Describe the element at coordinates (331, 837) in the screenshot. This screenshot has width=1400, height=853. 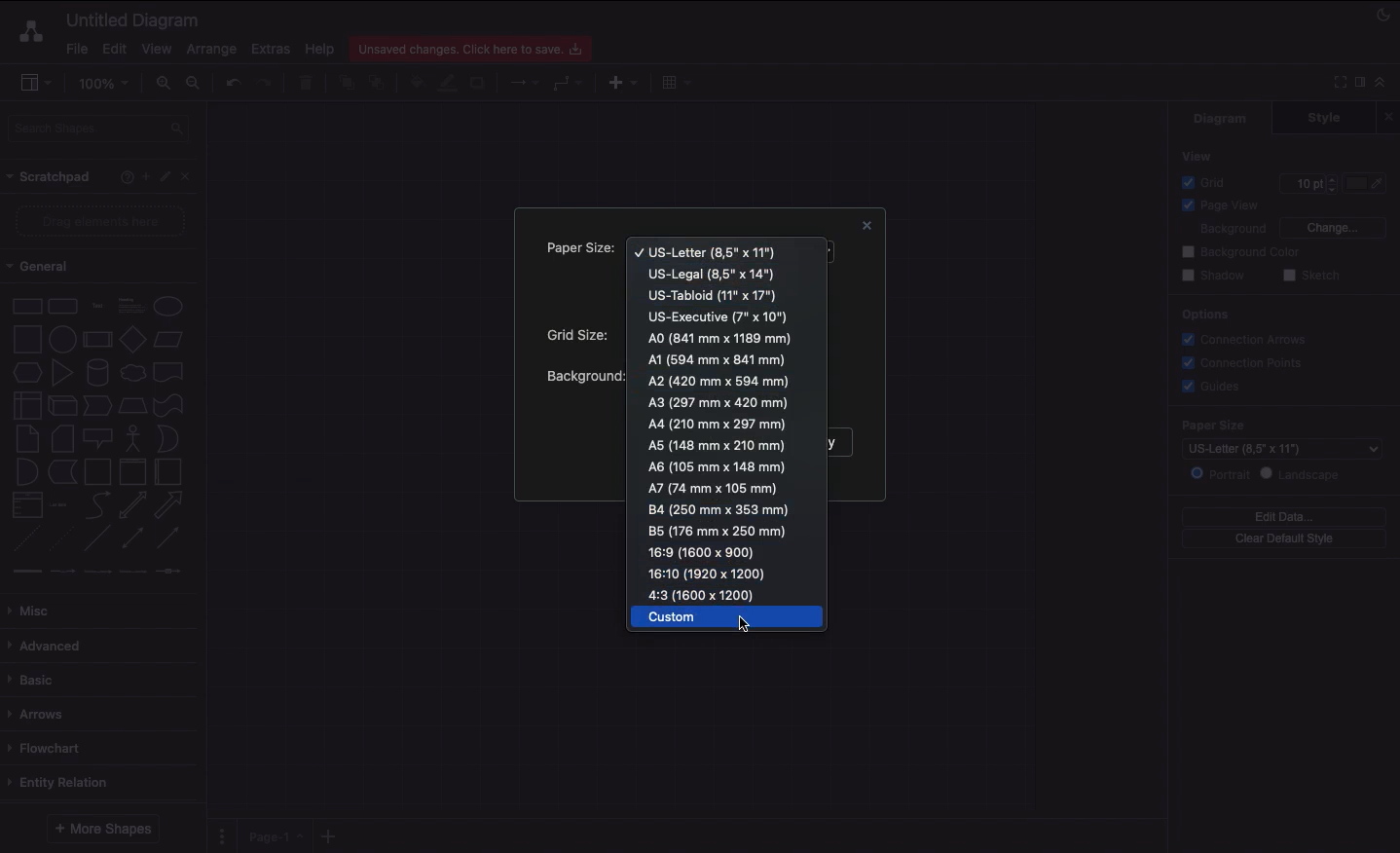
I see `Add new pages` at that location.